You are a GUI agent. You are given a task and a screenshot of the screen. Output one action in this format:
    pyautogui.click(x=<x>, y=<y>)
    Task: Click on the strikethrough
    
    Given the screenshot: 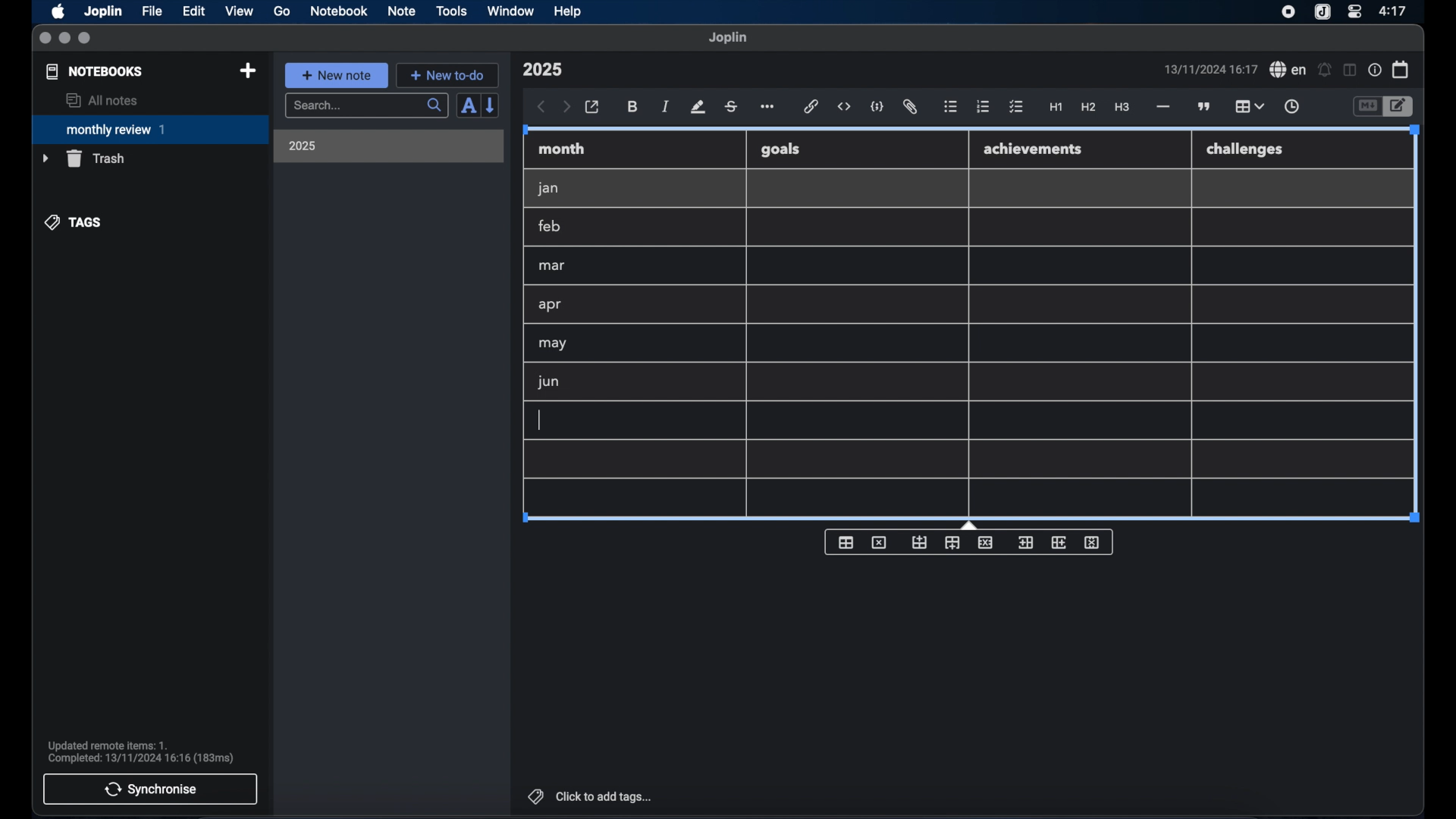 What is the action you would take?
    pyautogui.click(x=730, y=107)
    